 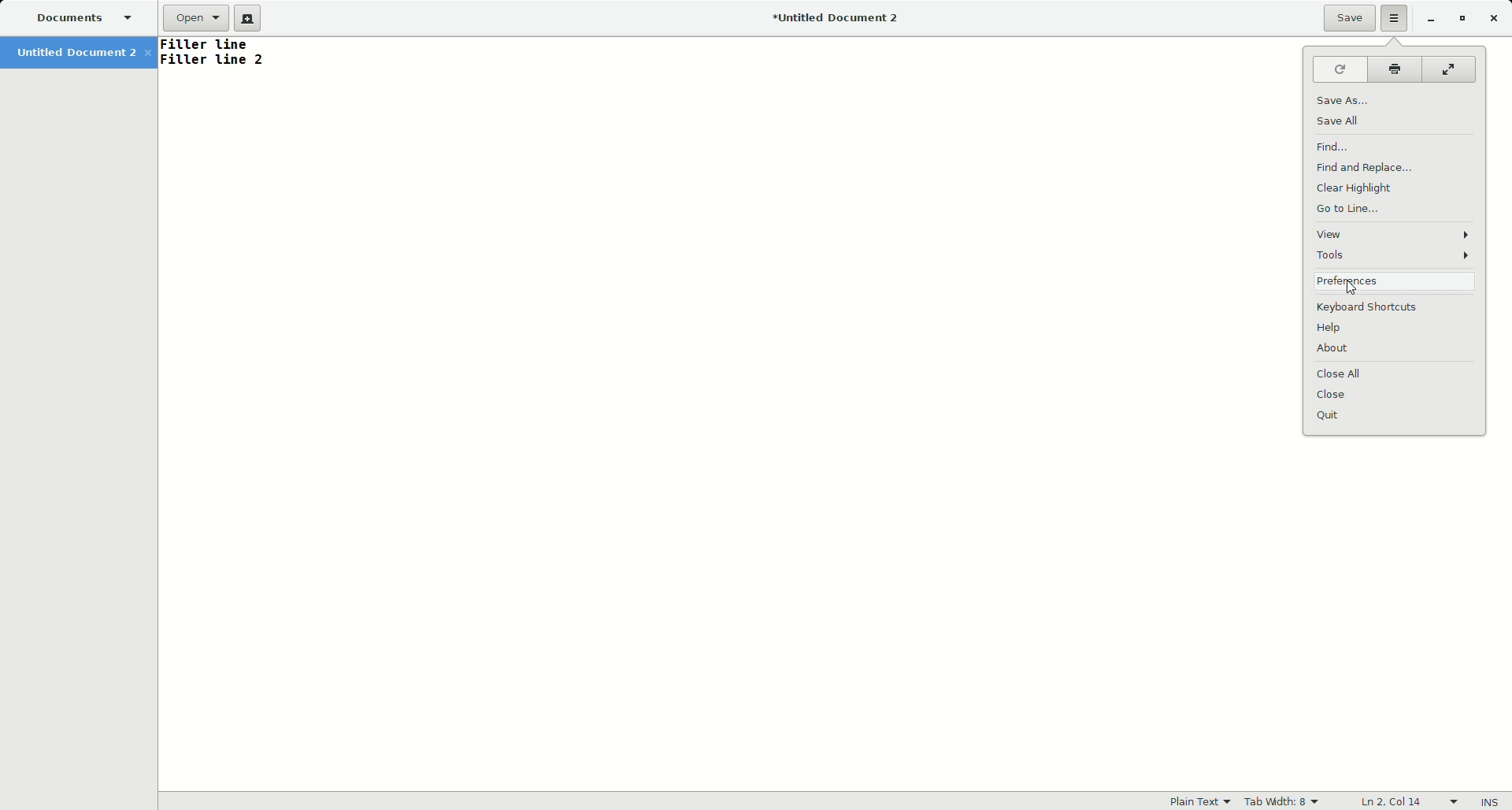 What do you see at coordinates (1397, 374) in the screenshot?
I see `Close All` at bounding box center [1397, 374].